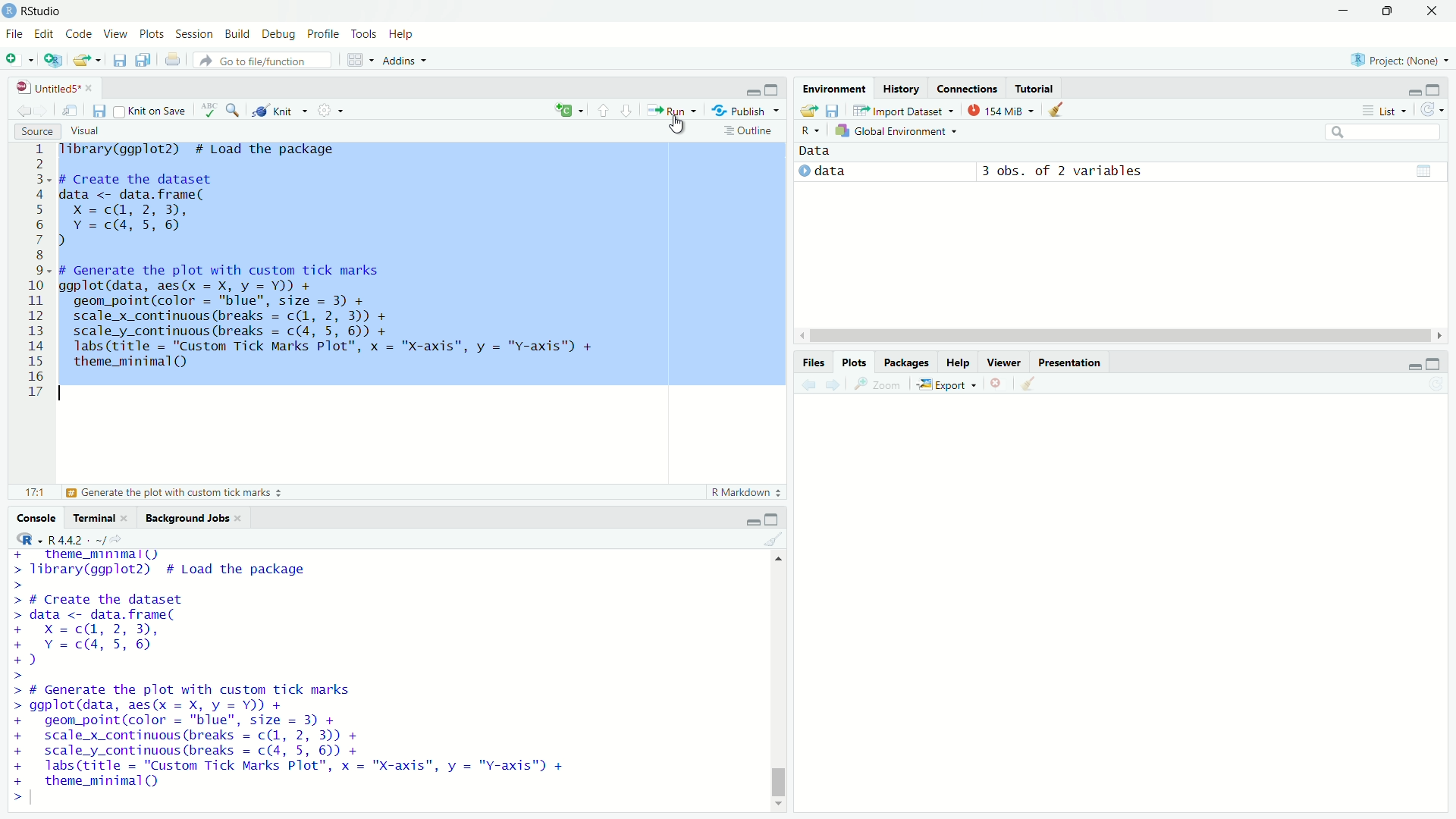 The width and height of the screenshot is (1456, 819). I want to click on code to create the dataset, so click(136, 631).